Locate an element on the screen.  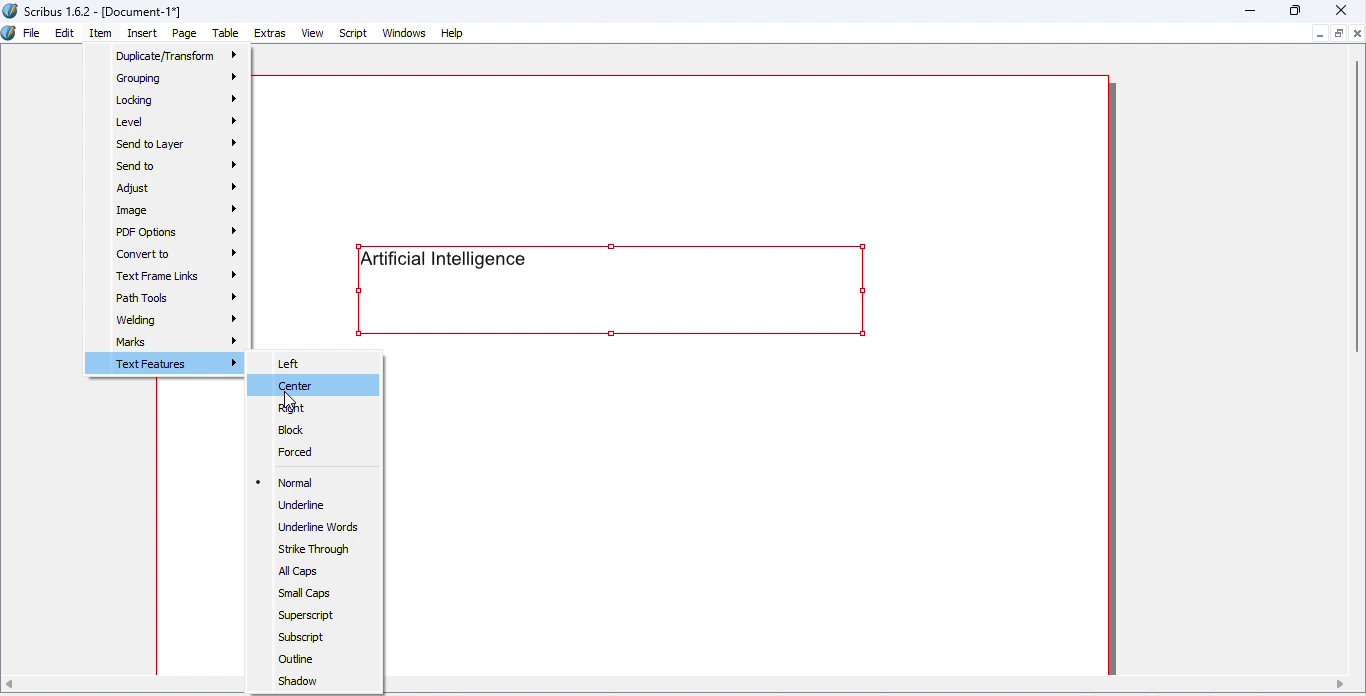
Send to is located at coordinates (171, 166).